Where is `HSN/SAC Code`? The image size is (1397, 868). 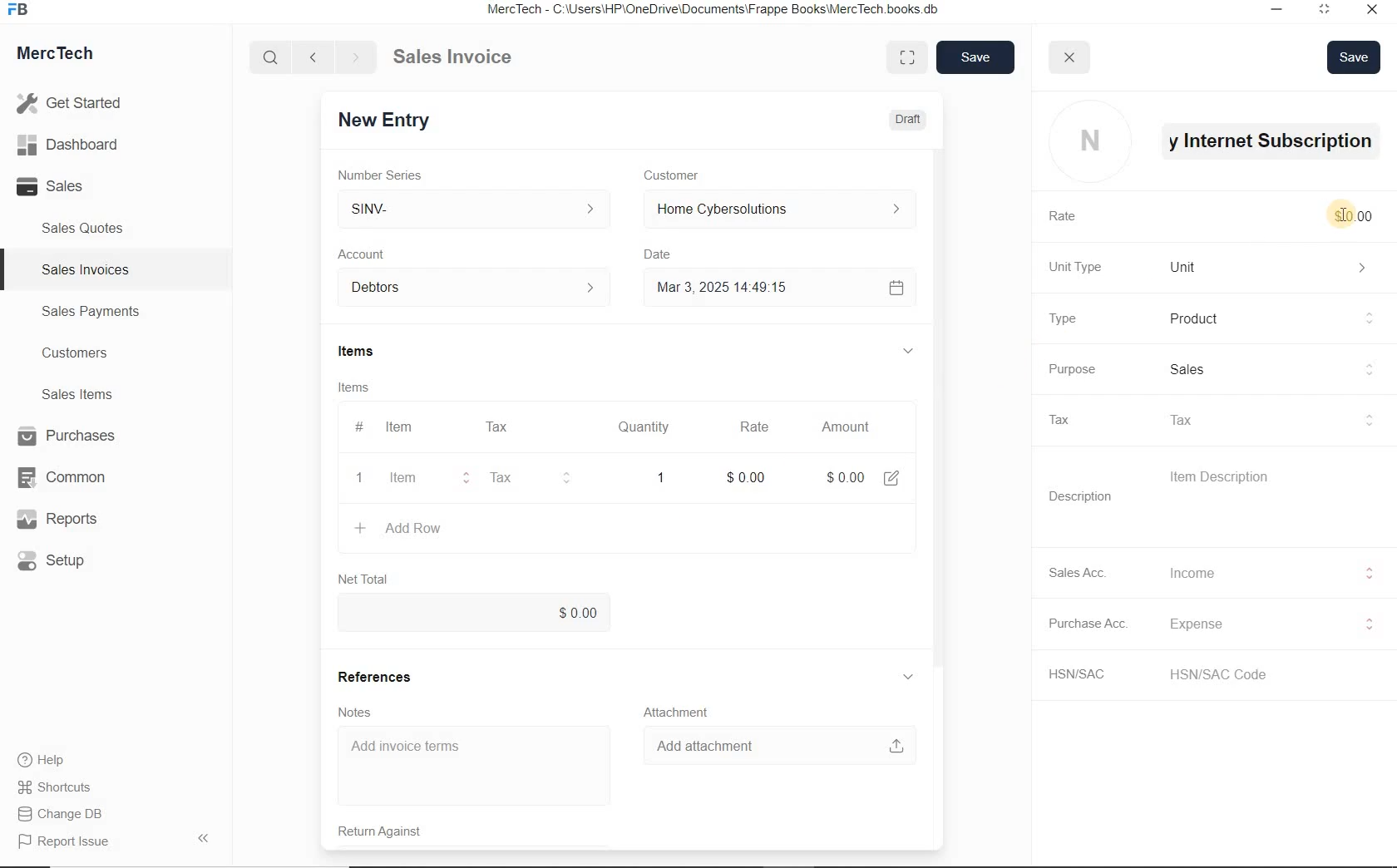 HSN/SAC Code is located at coordinates (1234, 673).